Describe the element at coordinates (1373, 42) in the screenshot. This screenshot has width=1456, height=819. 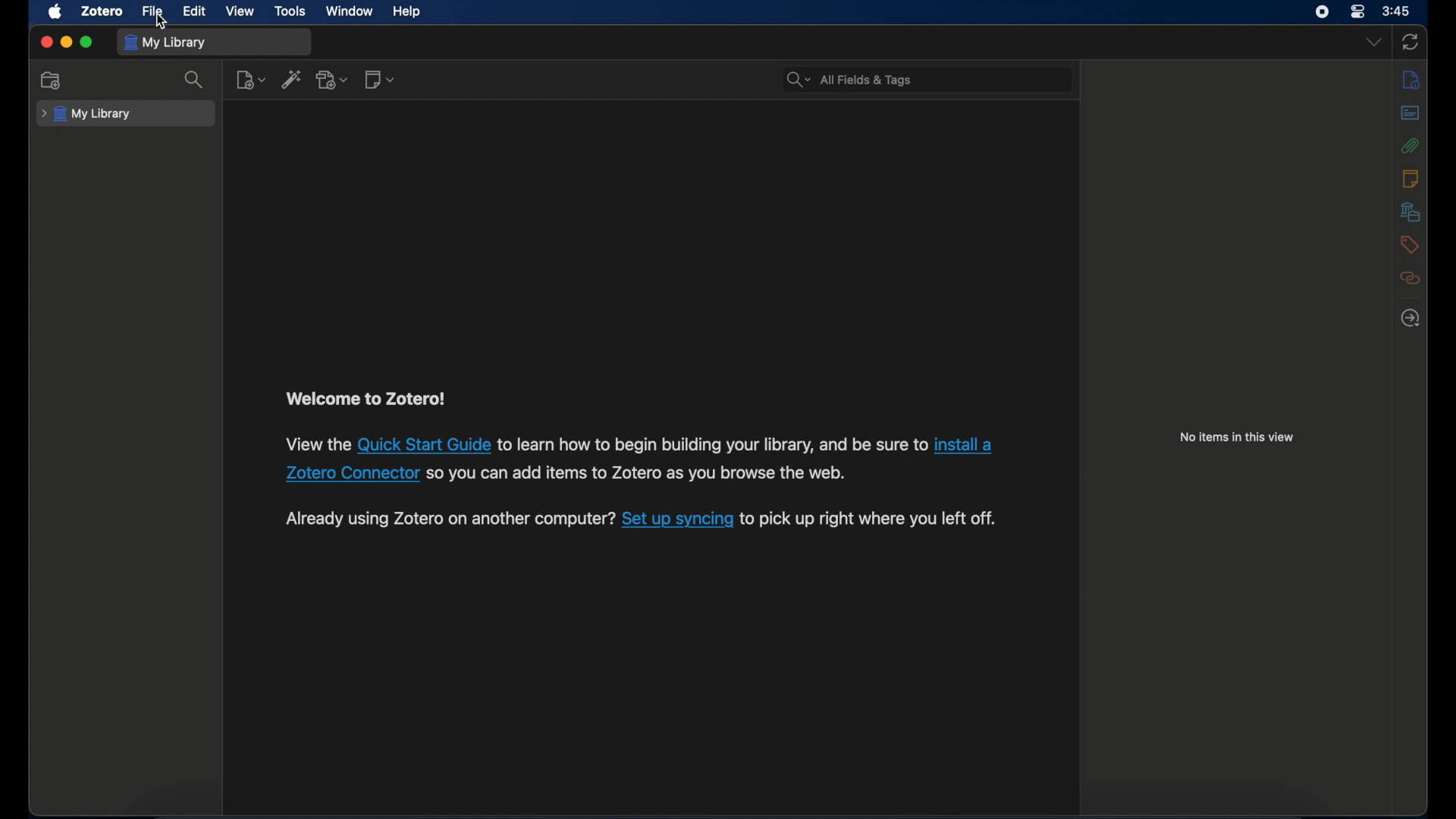
I see `dropdown` at that location.